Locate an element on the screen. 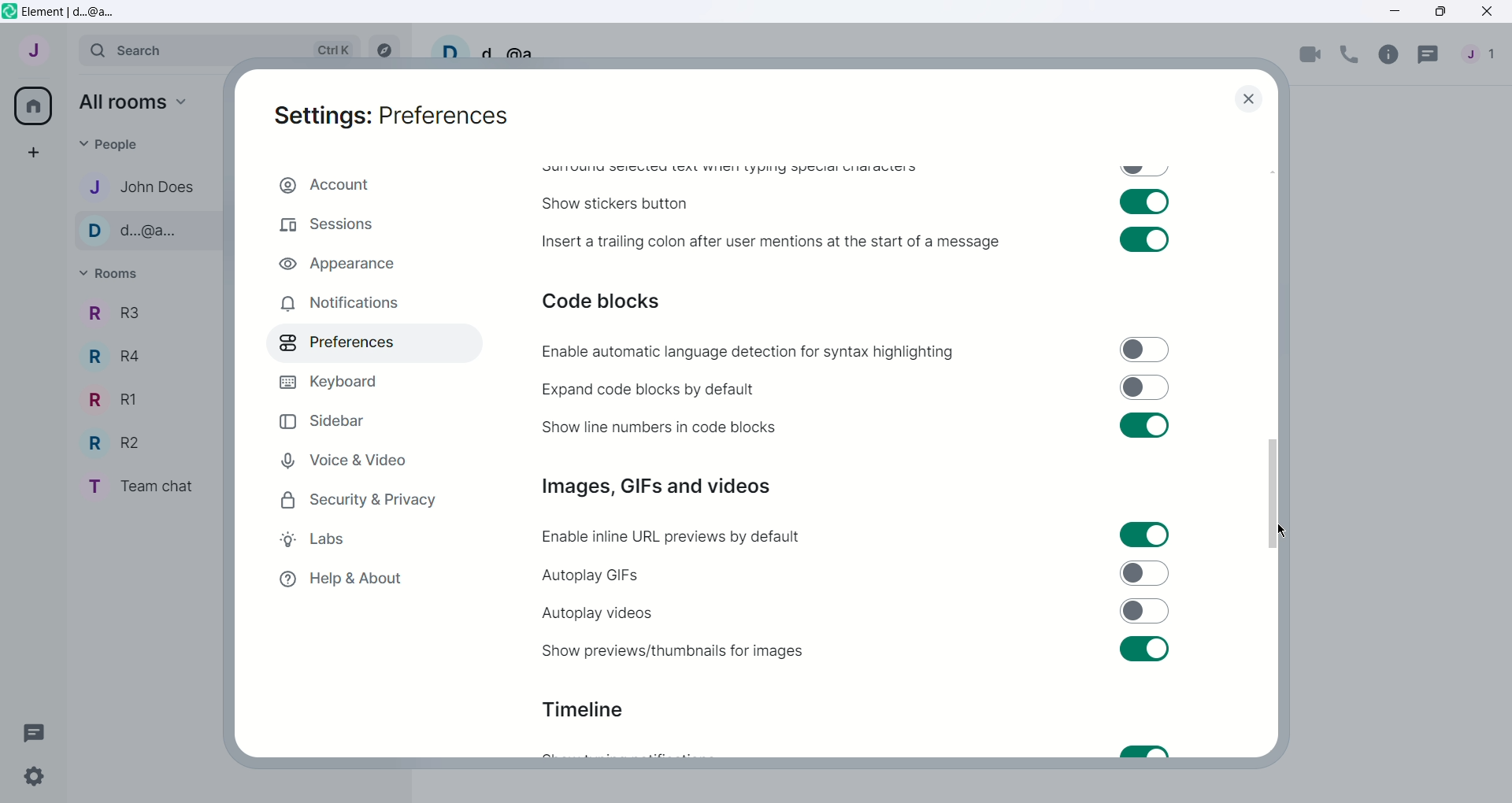 The image size is (1512, 803). Maximize is located at coordinates (1443, 11).